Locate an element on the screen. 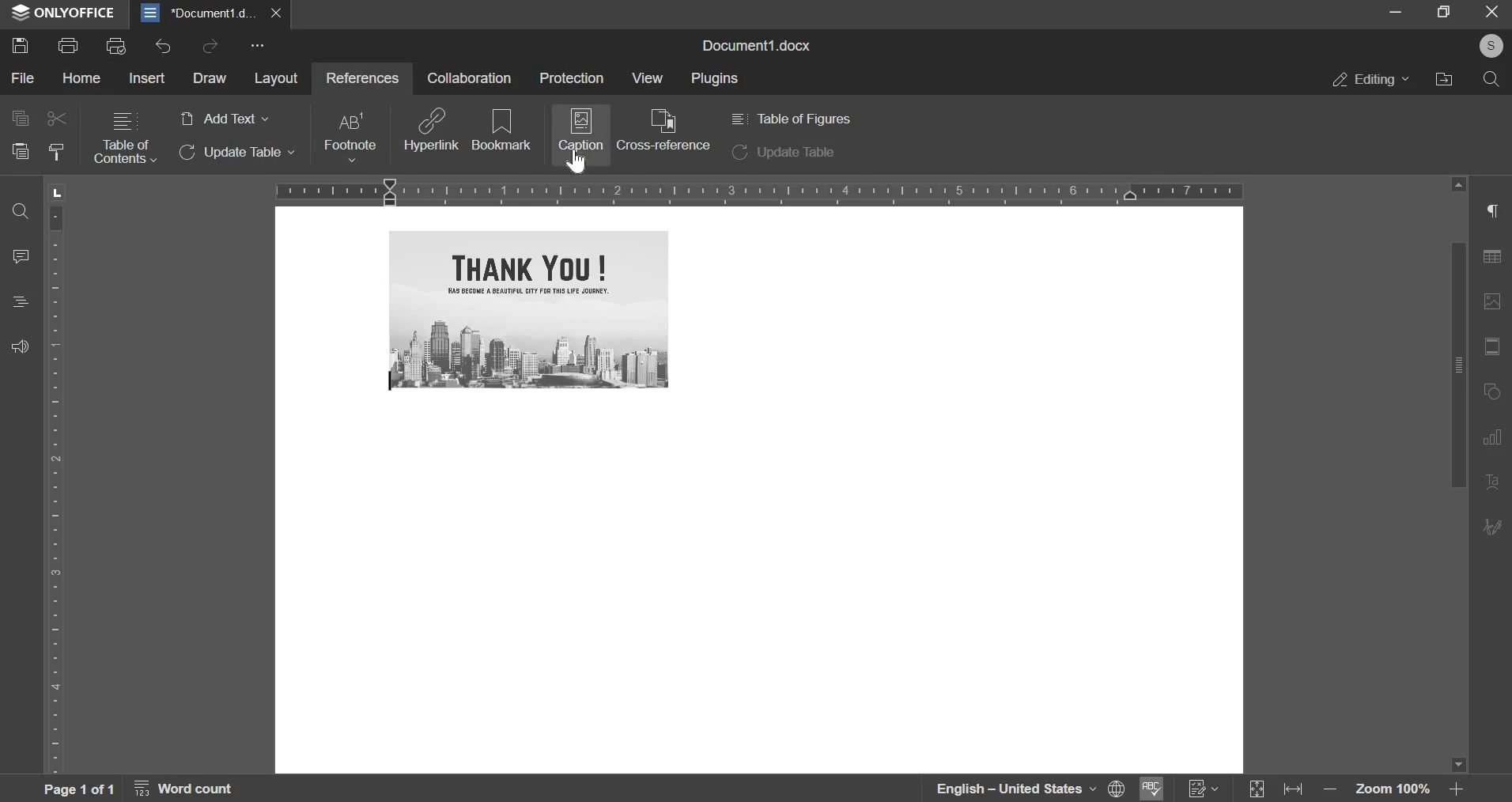 The image size is (1512, 802). bookmark is located at coordinates (502, 128).